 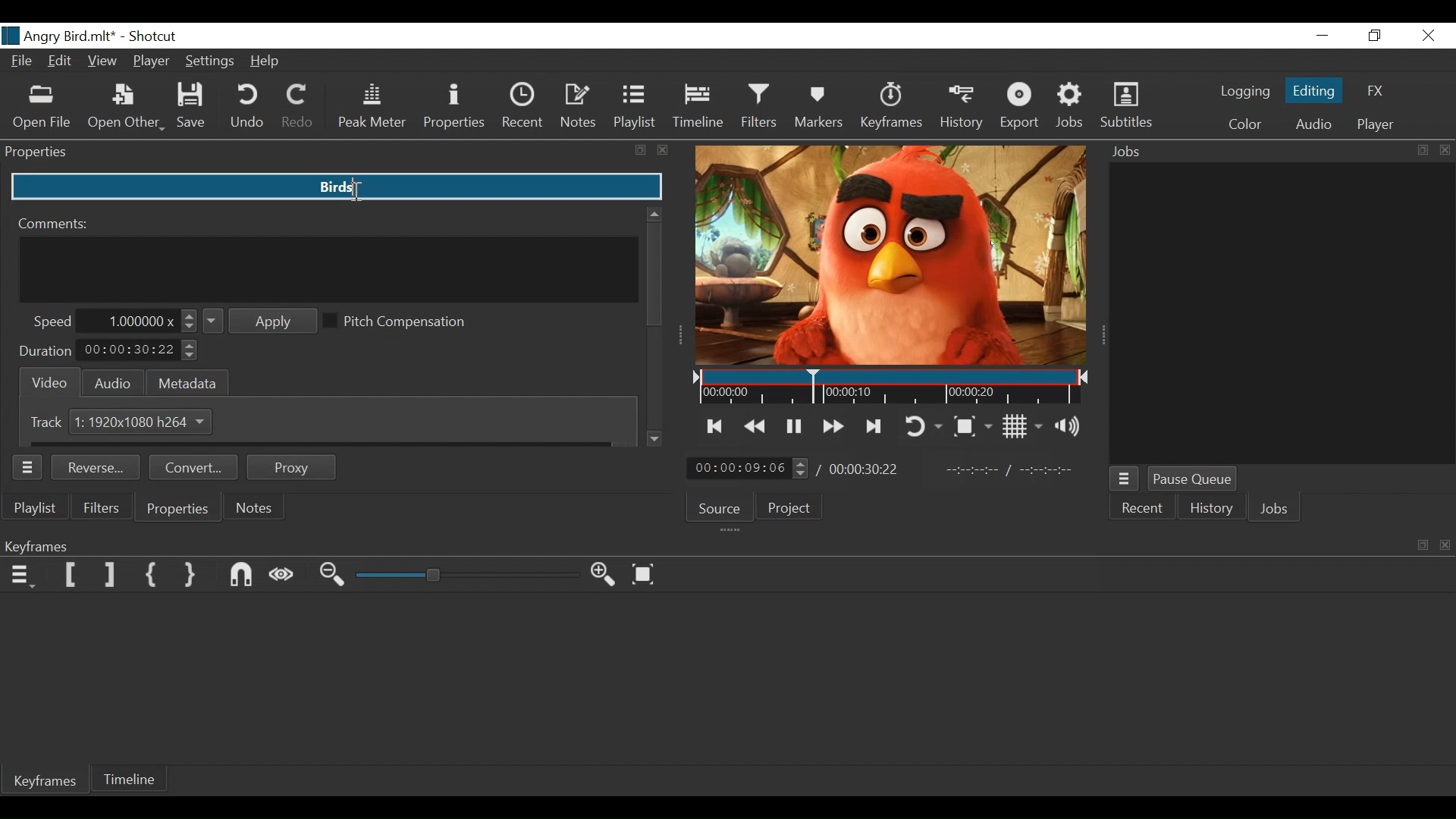 What do you see at coordinates (756, 426) in the screenshot?
I see `Play quickly backwards` at bounding box center [756, 426].